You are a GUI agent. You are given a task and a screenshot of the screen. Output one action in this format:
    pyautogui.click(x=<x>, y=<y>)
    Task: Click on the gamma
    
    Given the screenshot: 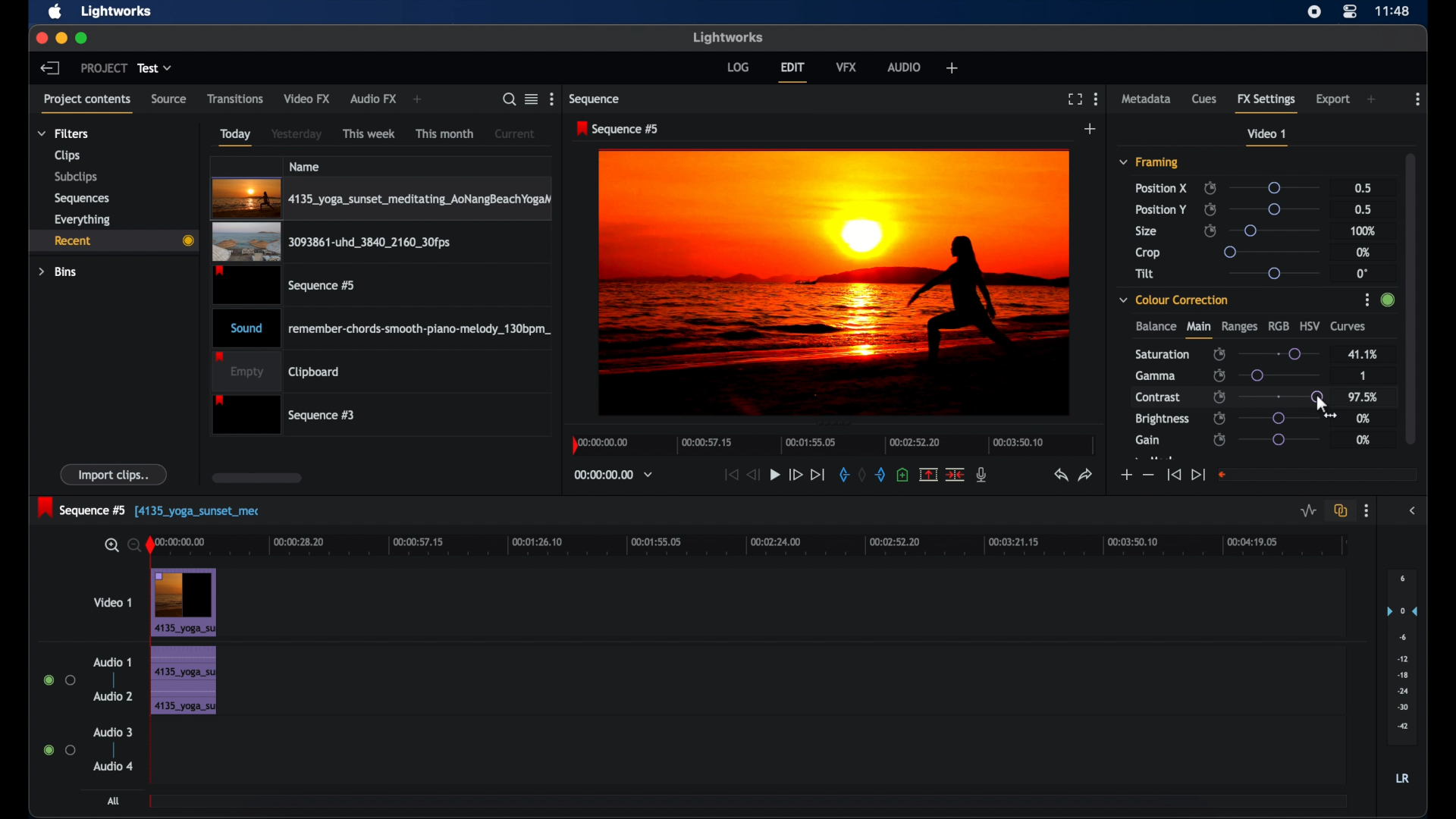 What is the action you would take?
    pyautogui.click(x=1155, y=375)
    